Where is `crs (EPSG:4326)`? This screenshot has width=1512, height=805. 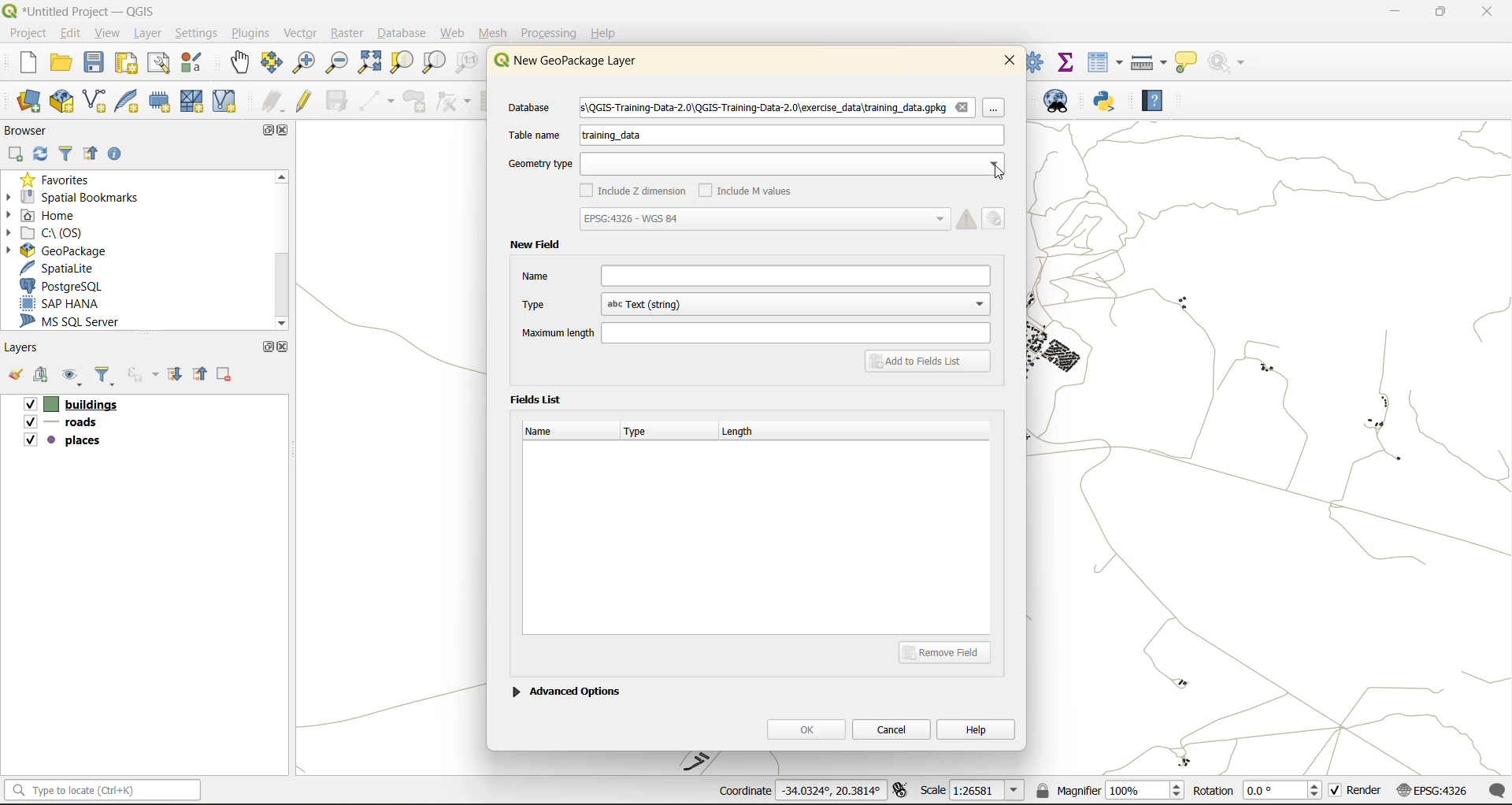
crs (EPSG:4326) is located at coordinates (1436, 791).